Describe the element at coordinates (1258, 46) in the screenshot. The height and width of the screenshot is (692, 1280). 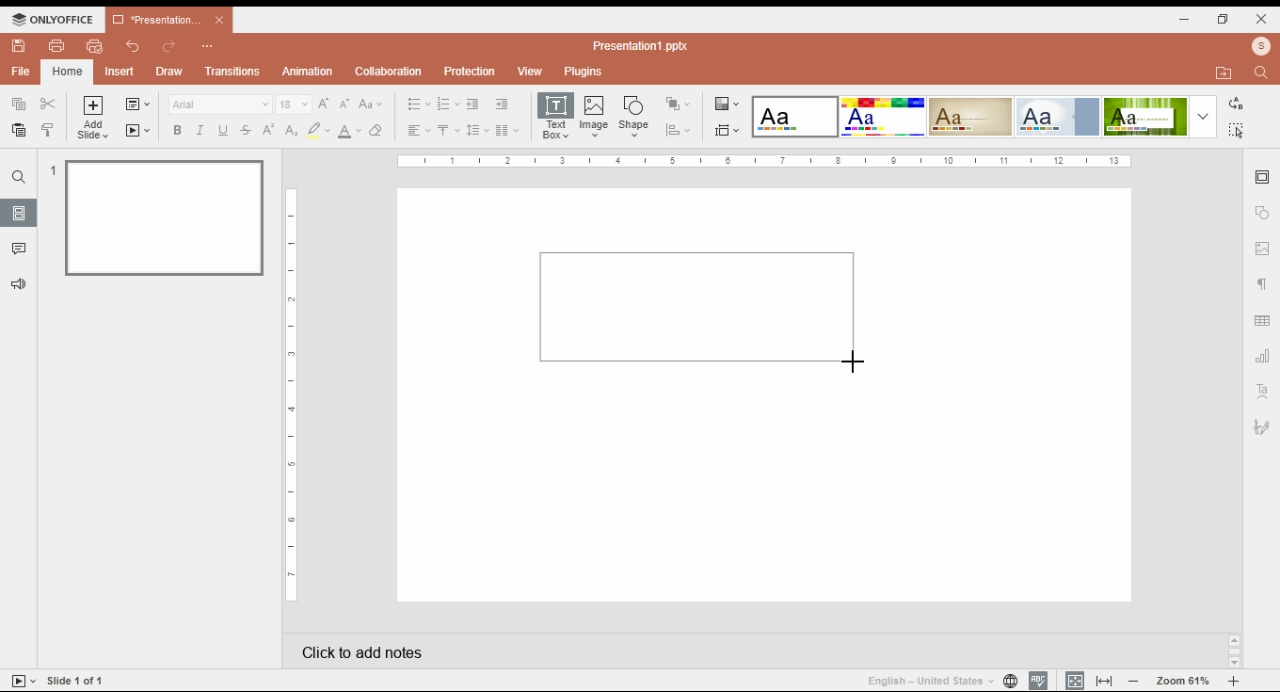
I see `profile` at that location.